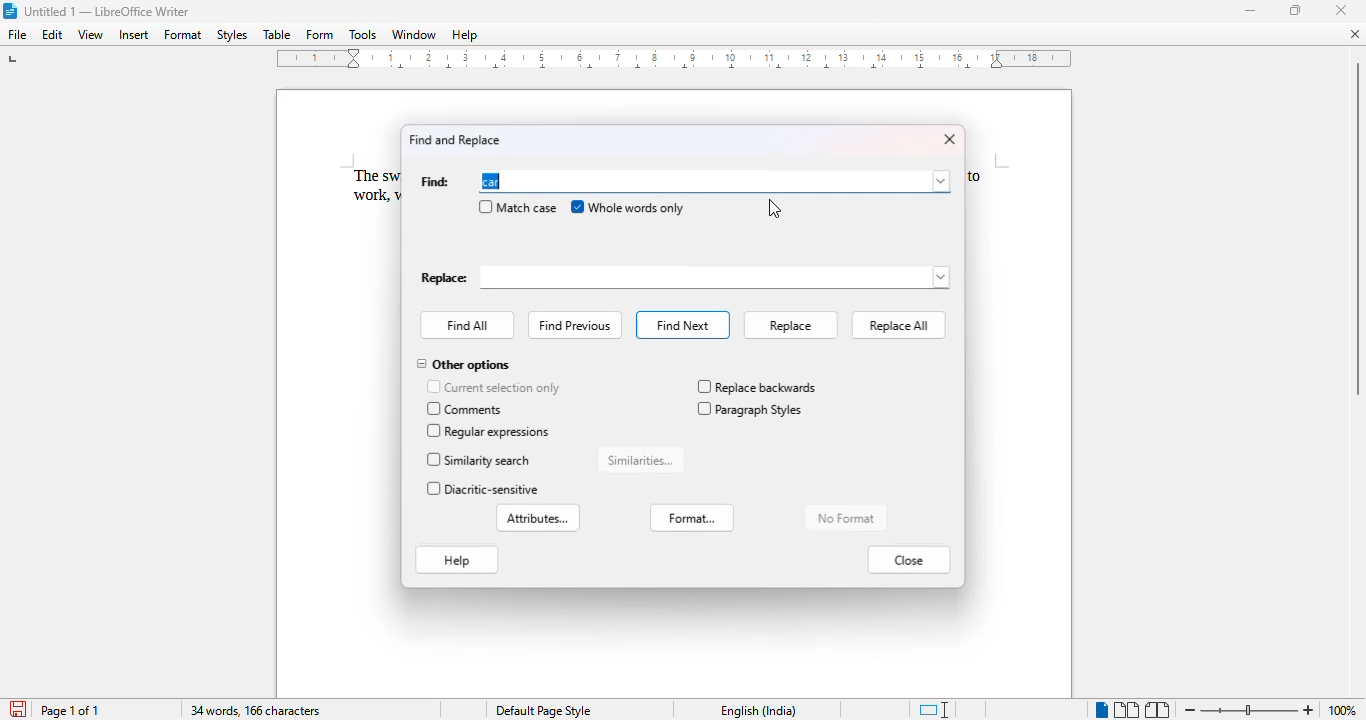  Describe the element at coordinates (255, 711) in the screenshot. I see `34 words, 166 characters` at that location.